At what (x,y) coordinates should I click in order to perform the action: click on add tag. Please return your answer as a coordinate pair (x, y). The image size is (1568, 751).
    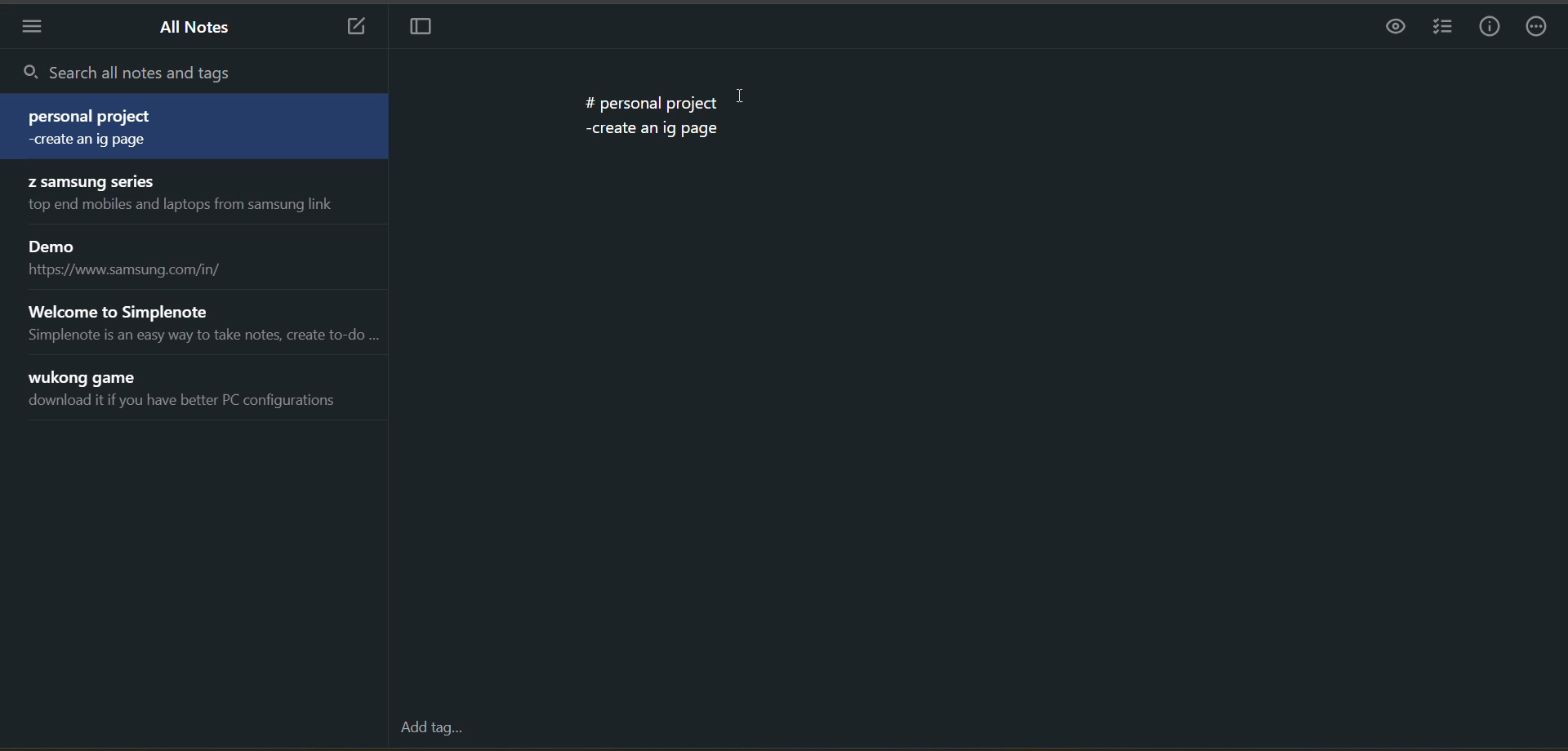
    Looking at the image, I should click on (430, 730).